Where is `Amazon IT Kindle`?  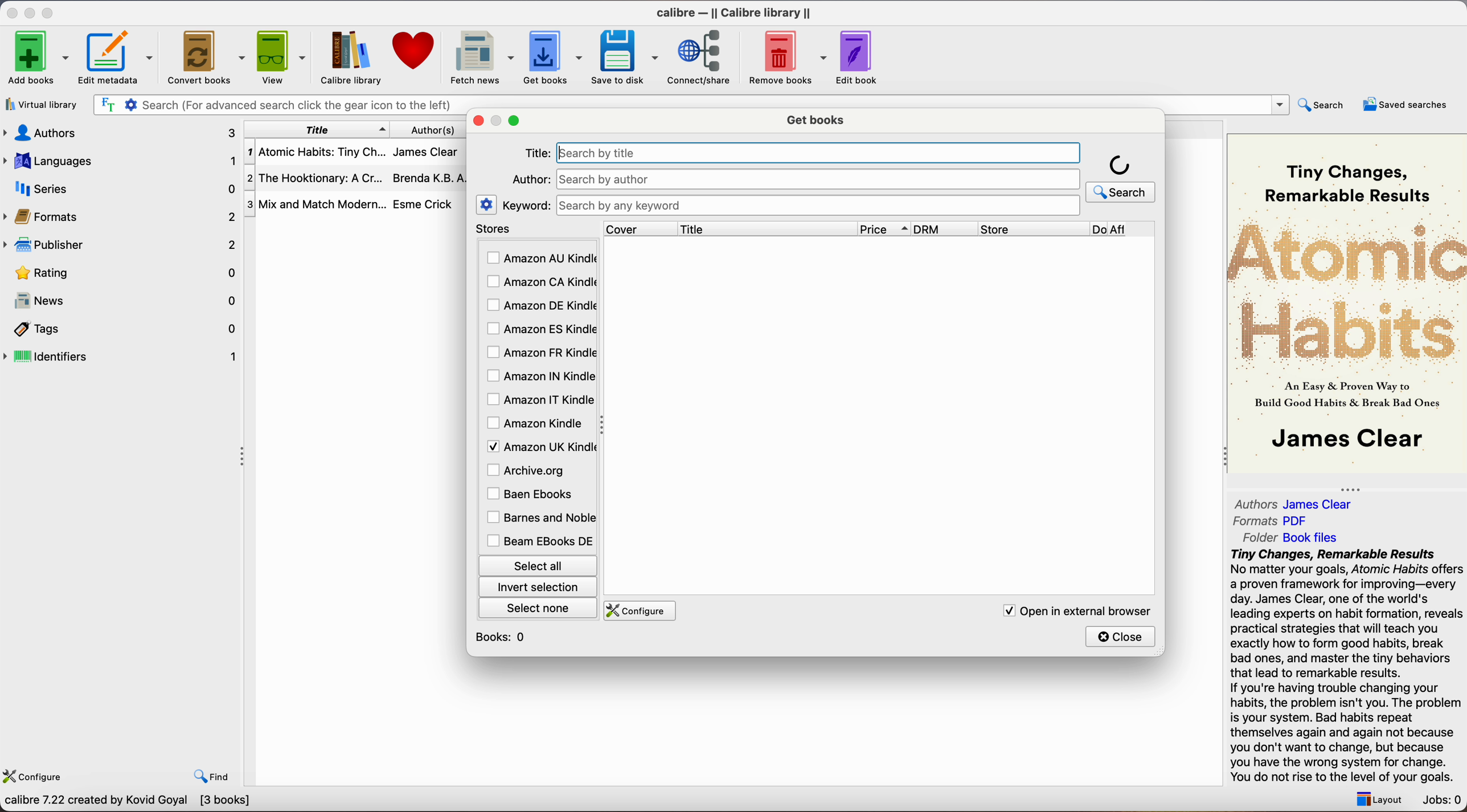
Amazon IT Kindle is located at coordinates (541, 400).